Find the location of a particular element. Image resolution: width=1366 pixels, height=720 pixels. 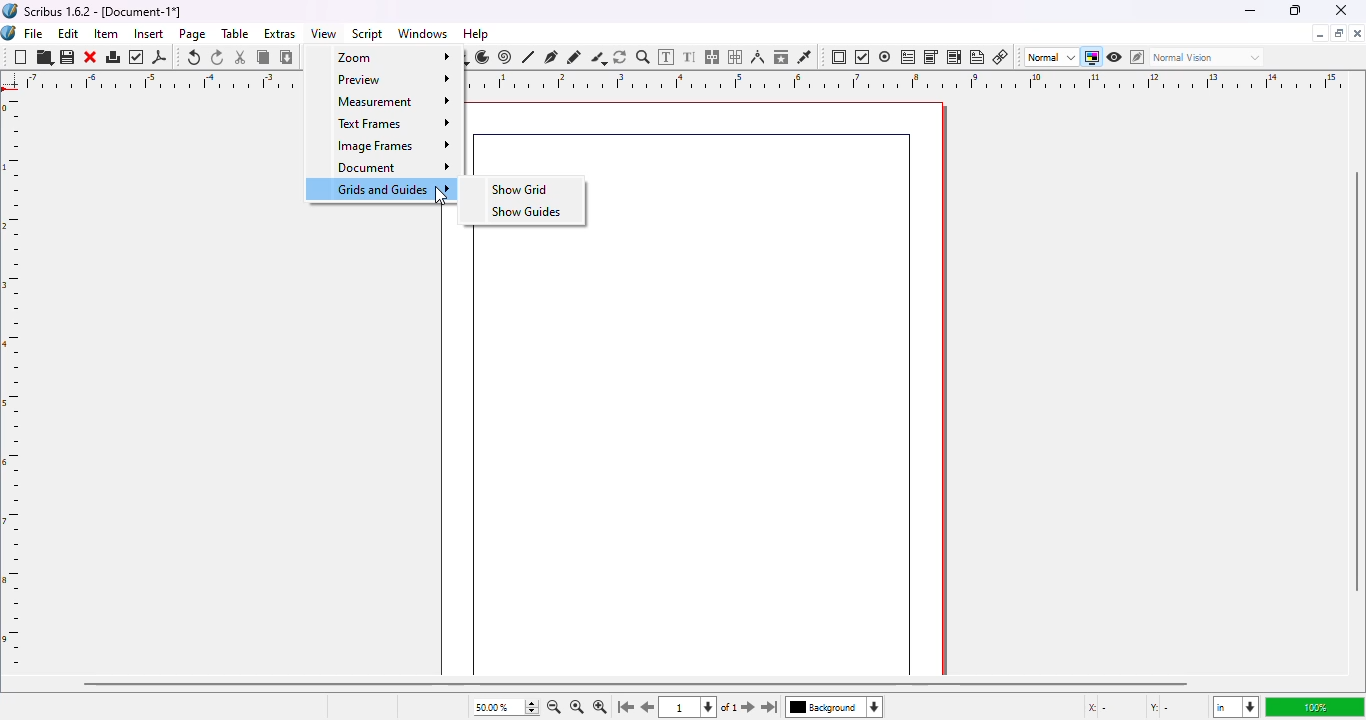

undo is located at coordinates (194, 57).